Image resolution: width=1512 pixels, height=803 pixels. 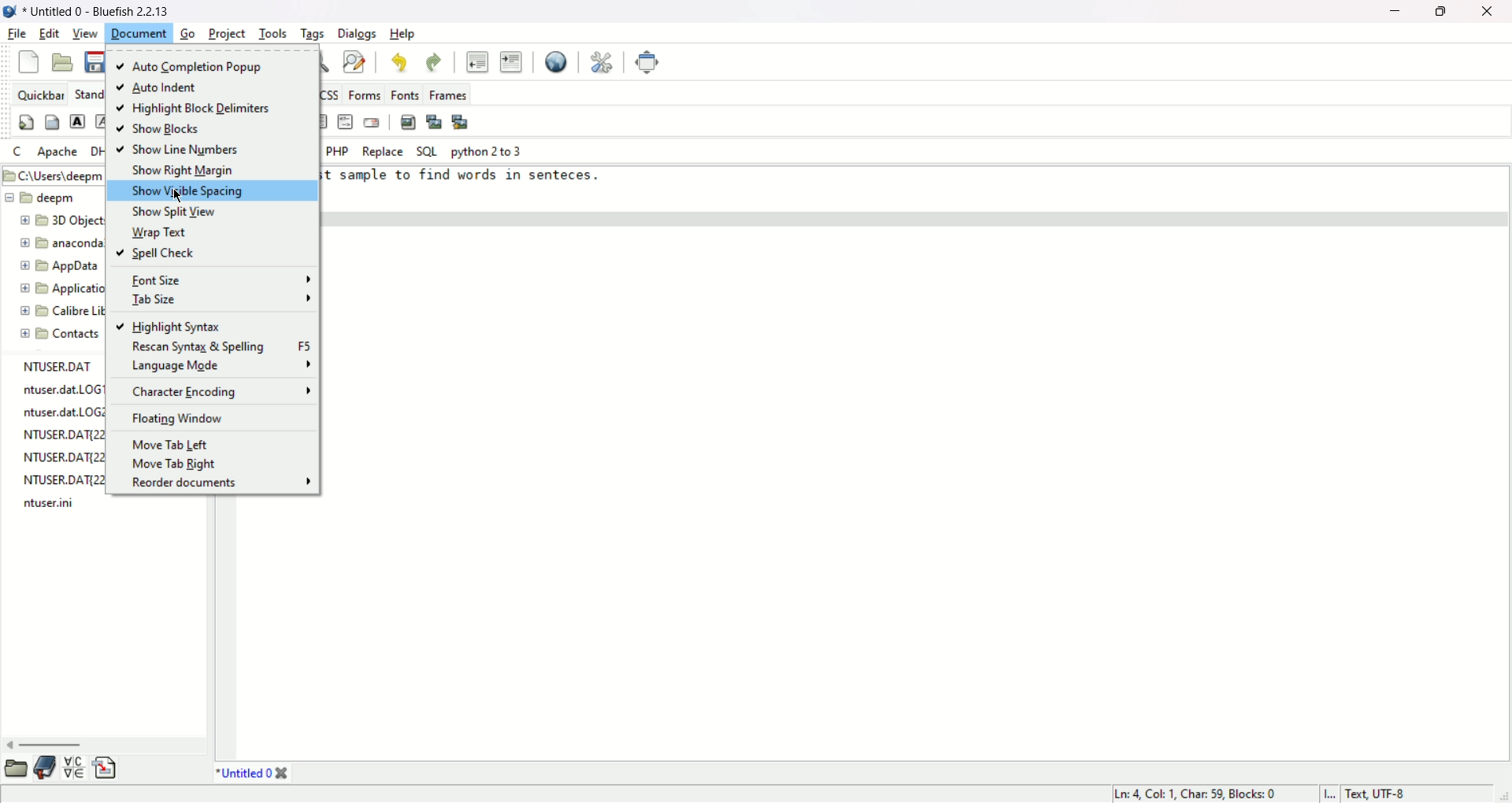 I want to click on frames, so click(x=449, y=92).